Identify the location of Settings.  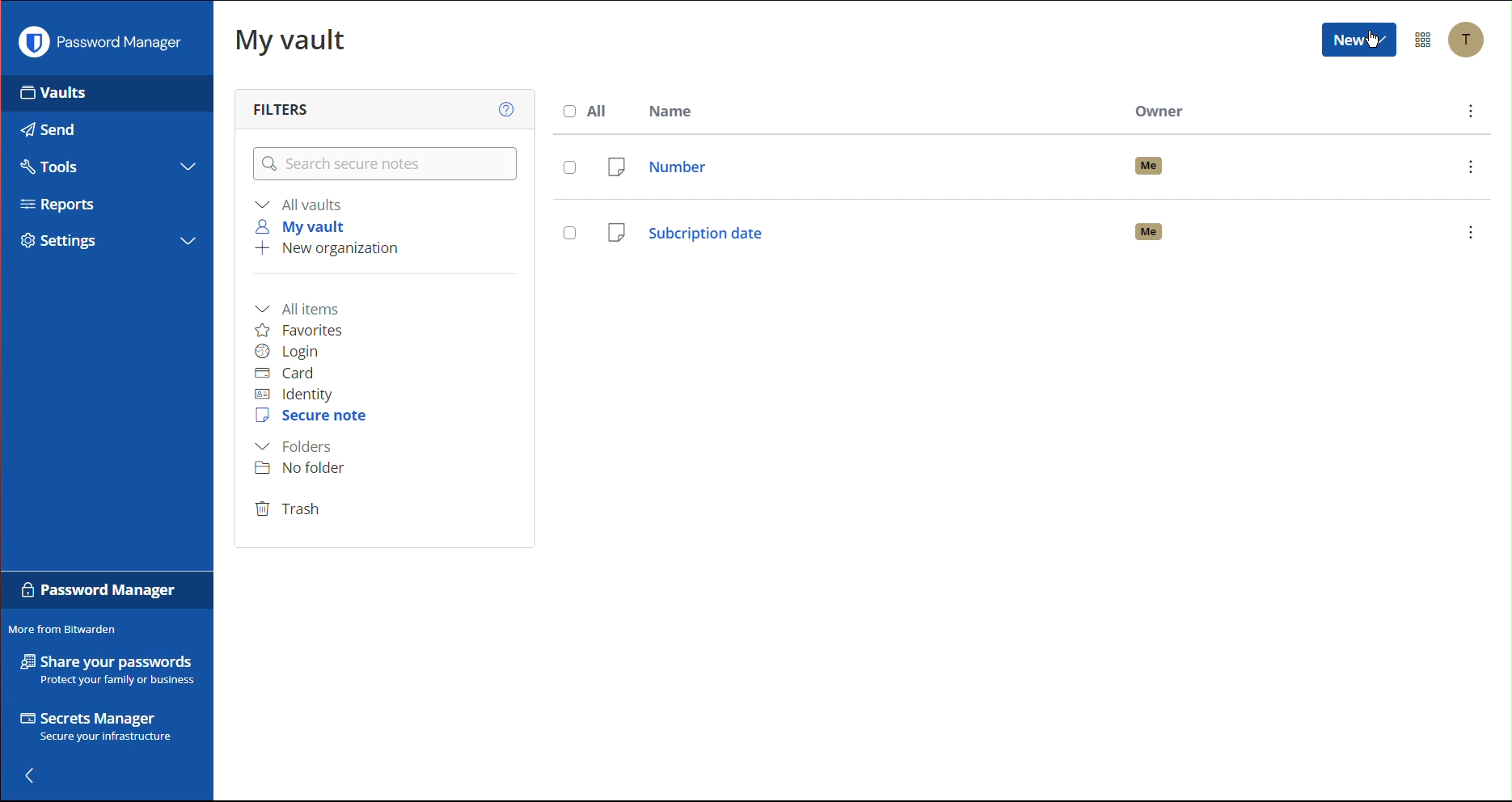
(59, 243).